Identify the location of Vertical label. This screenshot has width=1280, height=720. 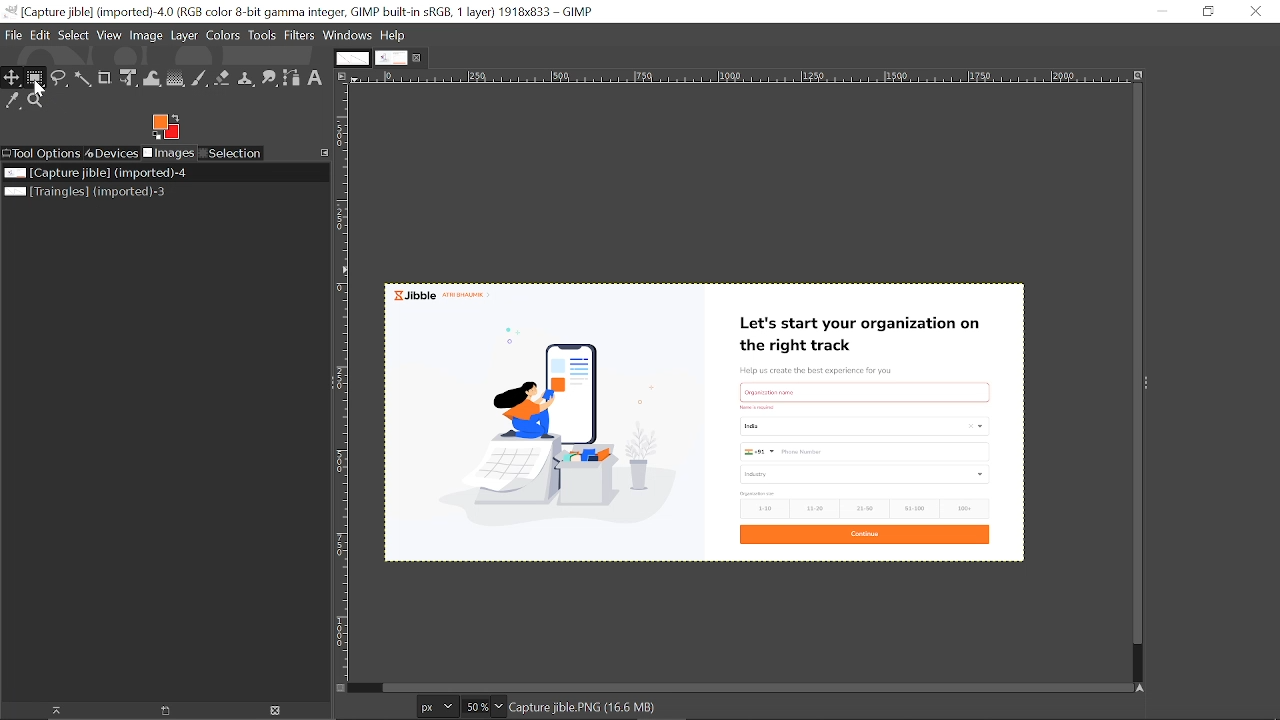
(346, 382).